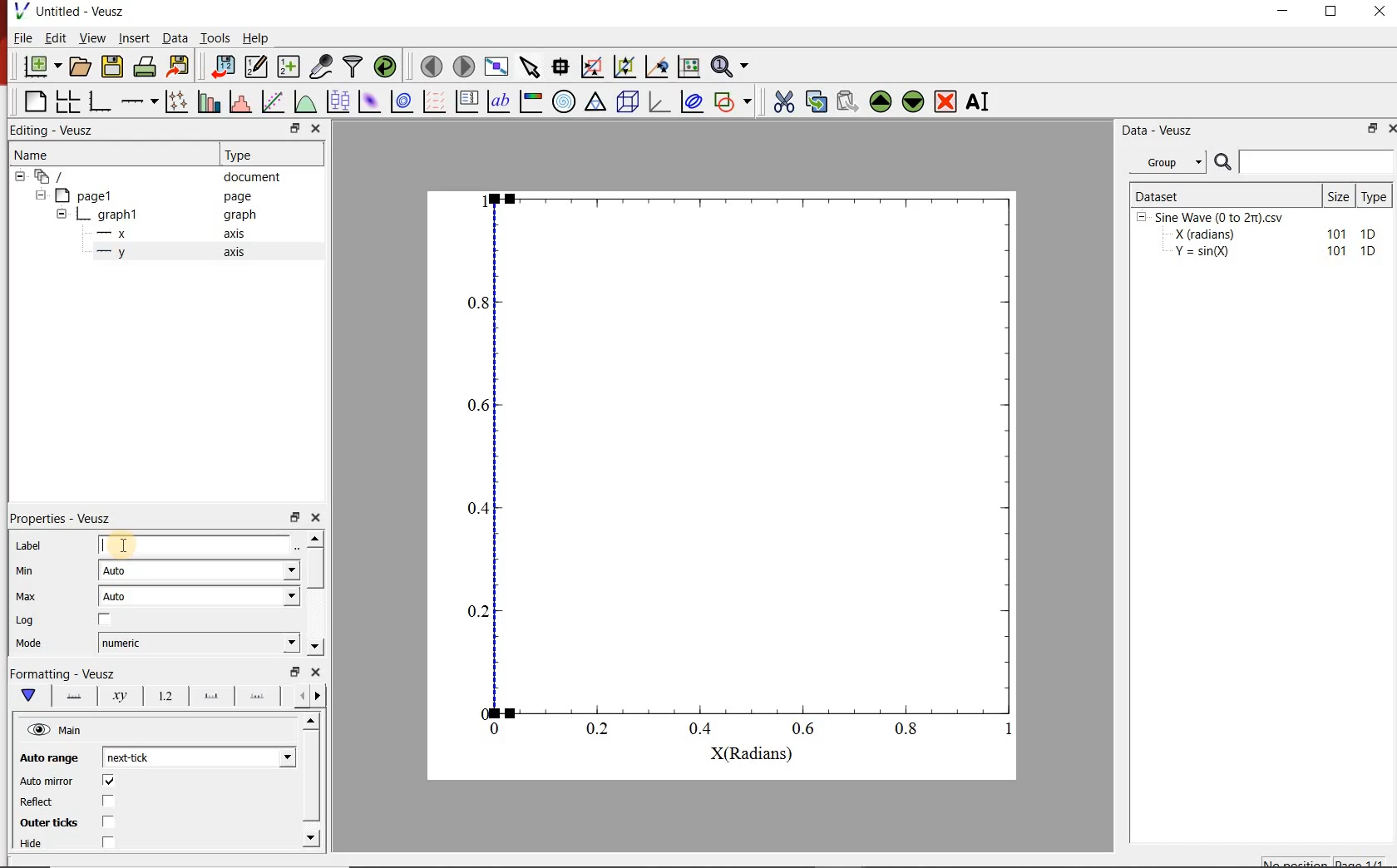 The width and height of the screenshot is (1397, 868). I want to click on plot a vector field, so click(435, 101).